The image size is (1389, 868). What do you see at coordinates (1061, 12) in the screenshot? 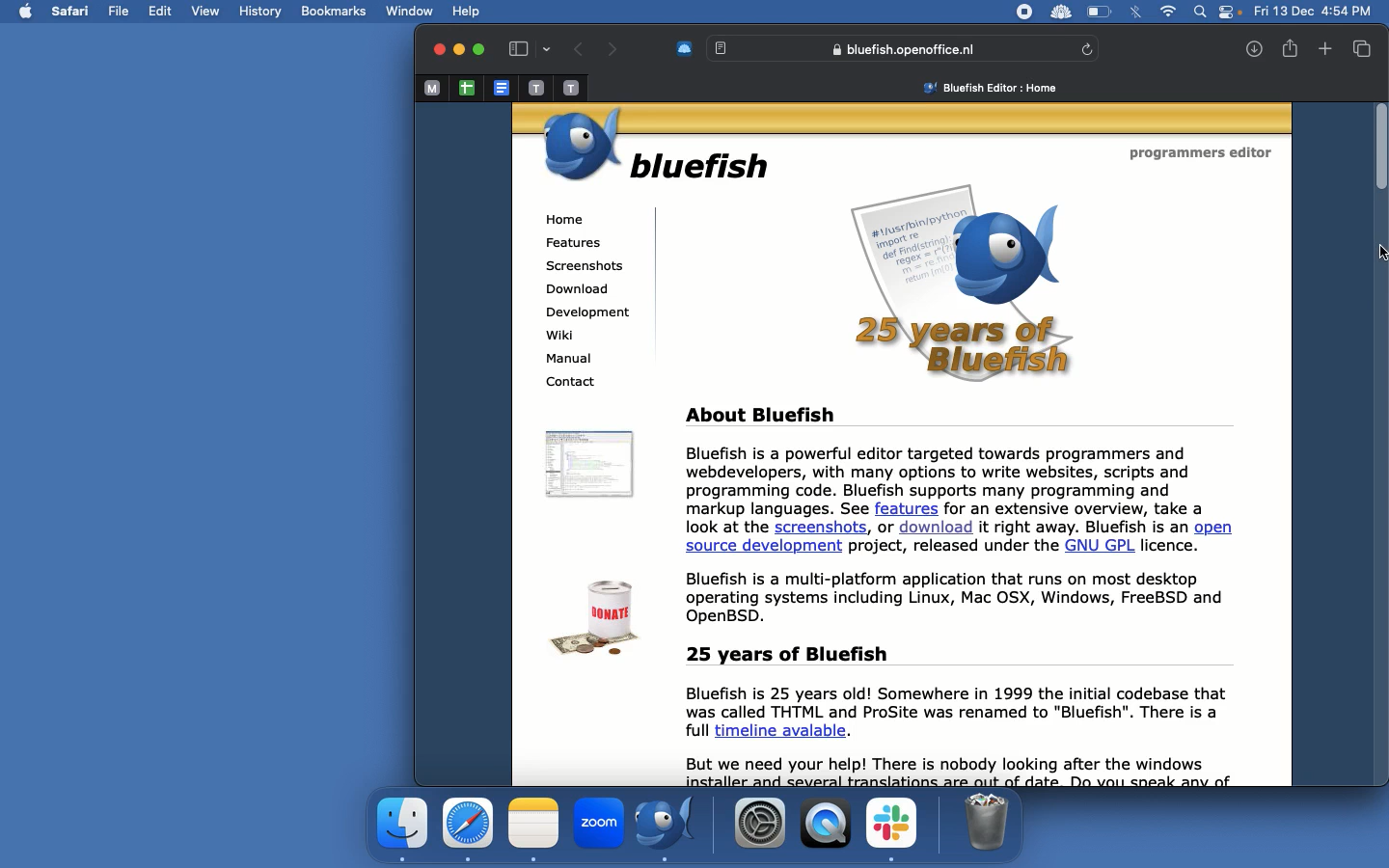
I see `Extensions ` at bounding box center [1061, 12].